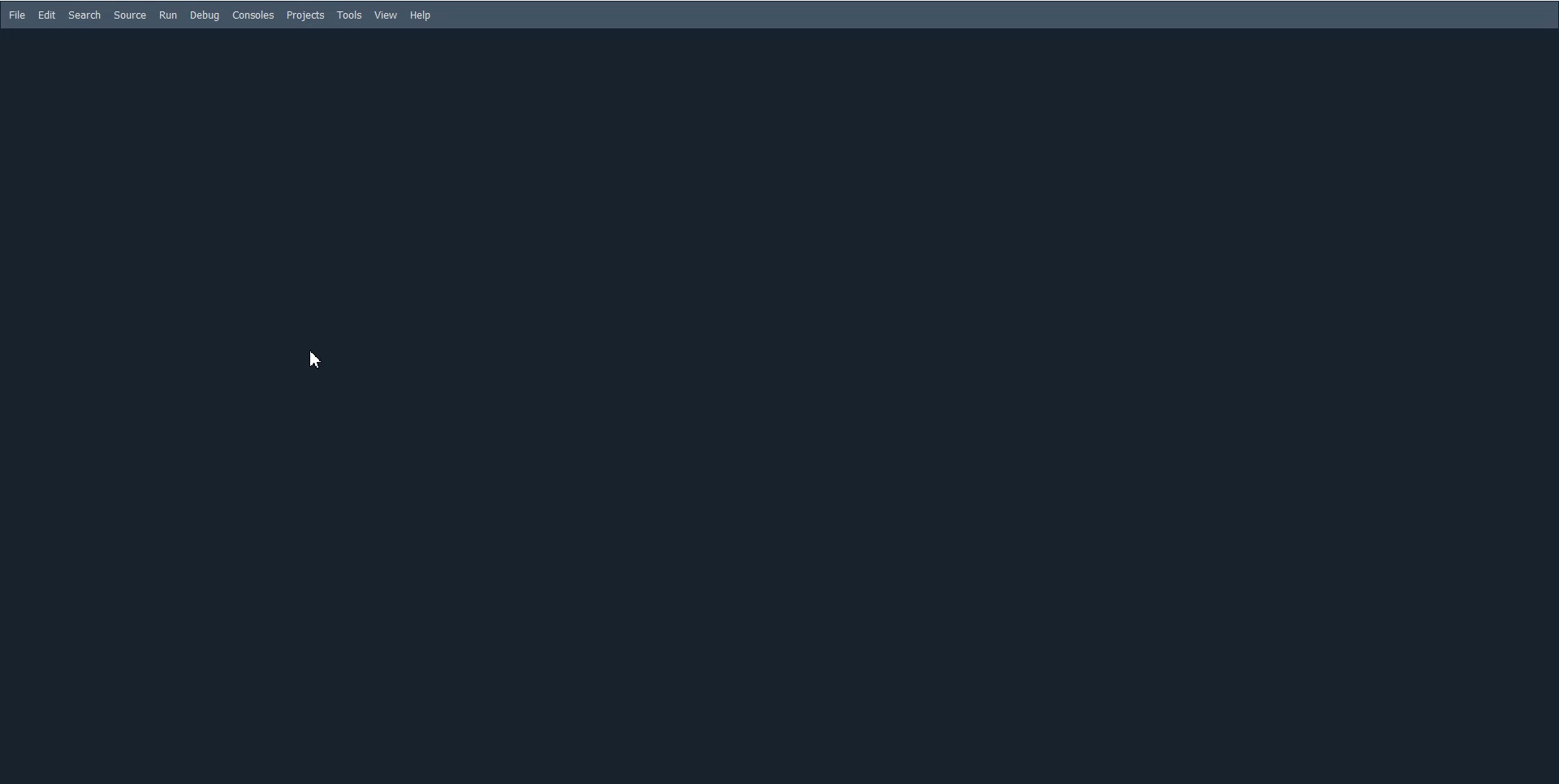 This screenshot has height=784, width=1559. Describe the element at coordinates (316, 360) in the screenshot. I see `Cursor` at that location.